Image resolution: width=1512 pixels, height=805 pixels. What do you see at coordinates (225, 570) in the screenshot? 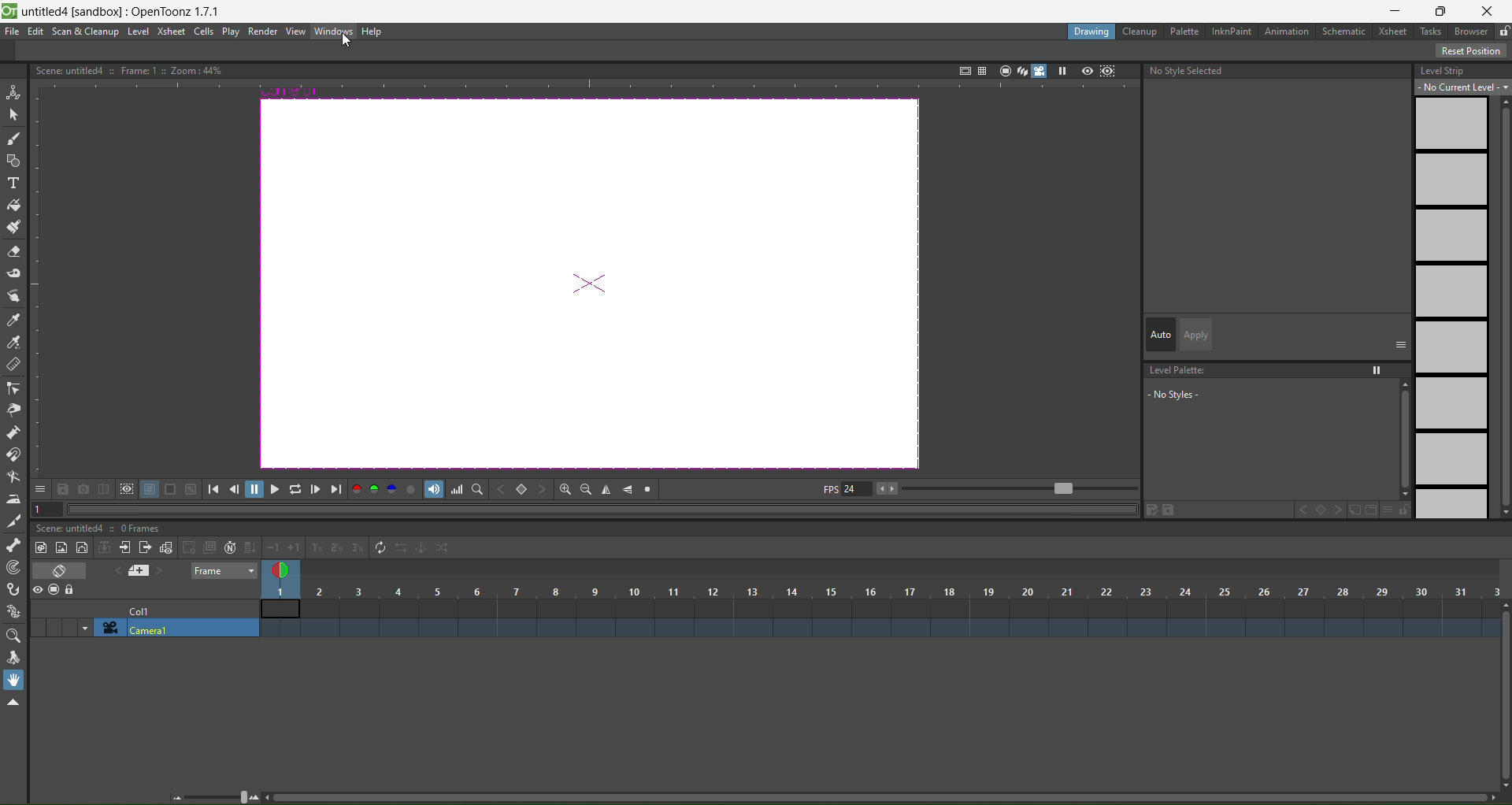
I see `frame` at bounding box center [225, 570].